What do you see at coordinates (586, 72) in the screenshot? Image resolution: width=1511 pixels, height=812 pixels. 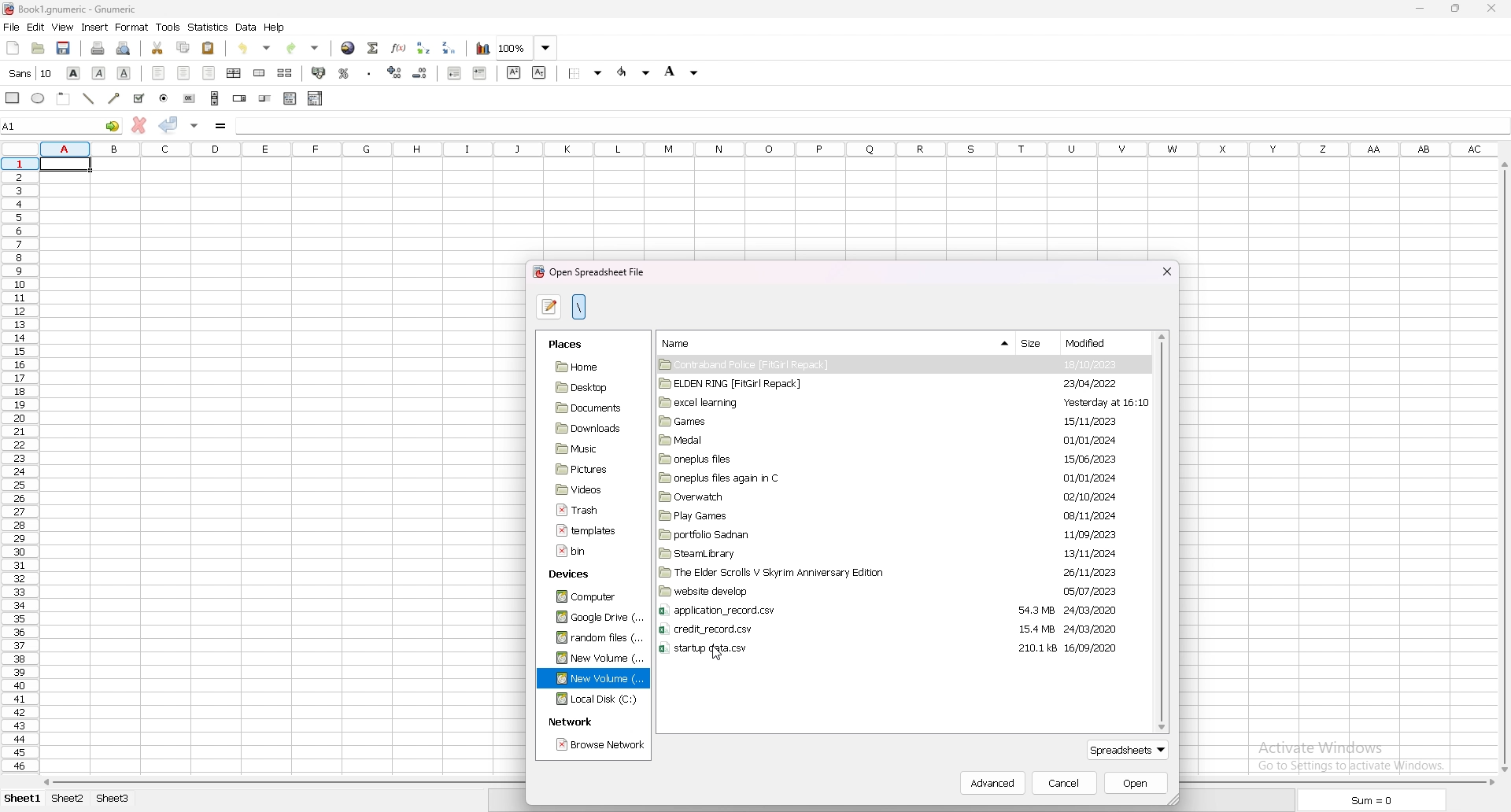 I see `border` at bounding box center [586, 72].